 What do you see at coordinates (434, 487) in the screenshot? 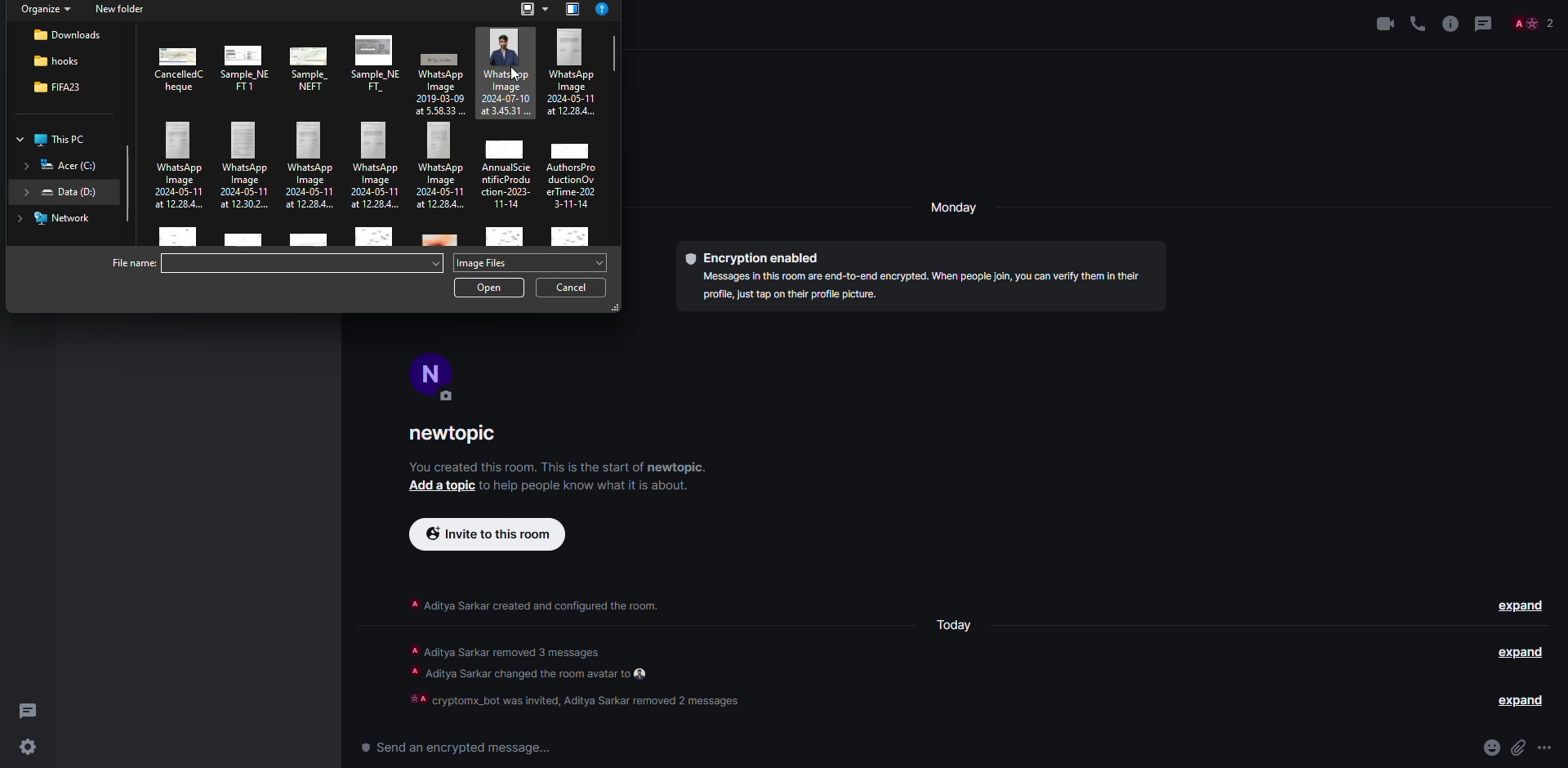
I see `add a topic` at bounding box center [434, 487].